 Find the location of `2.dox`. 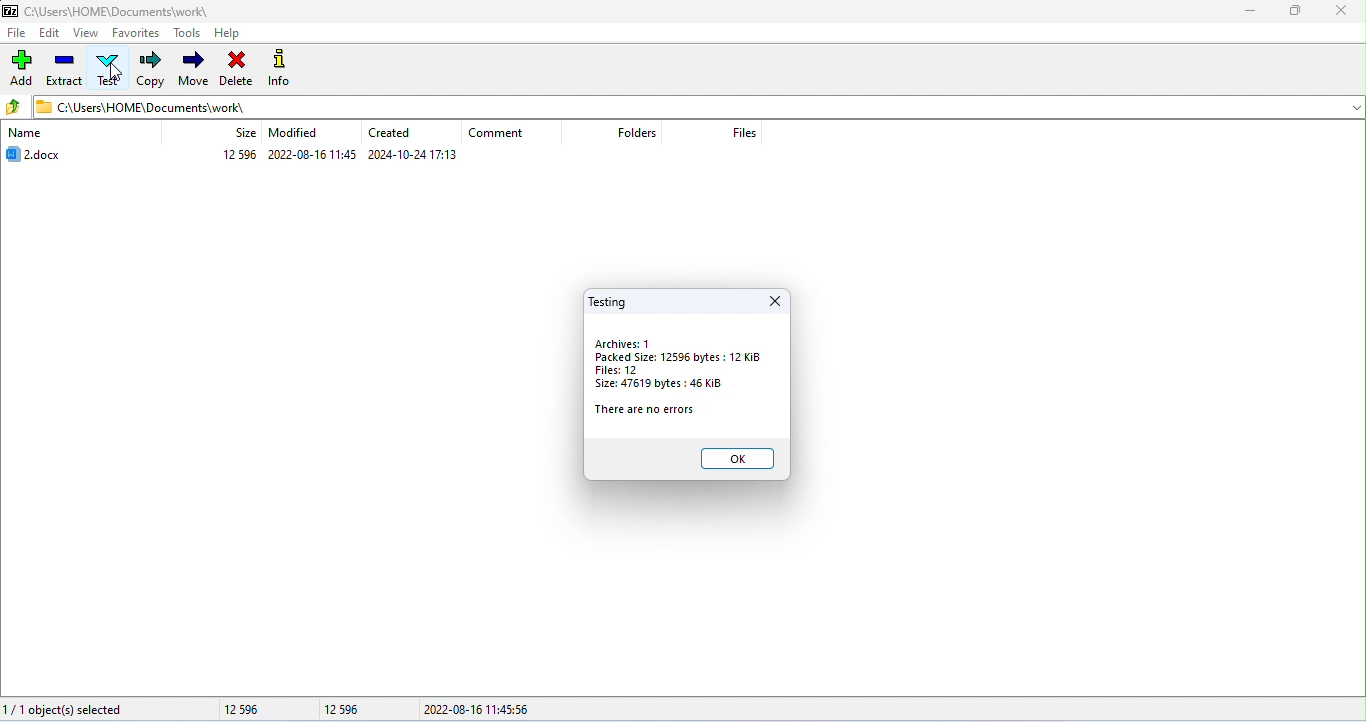

2.dox is located at coordinates (41, 155).